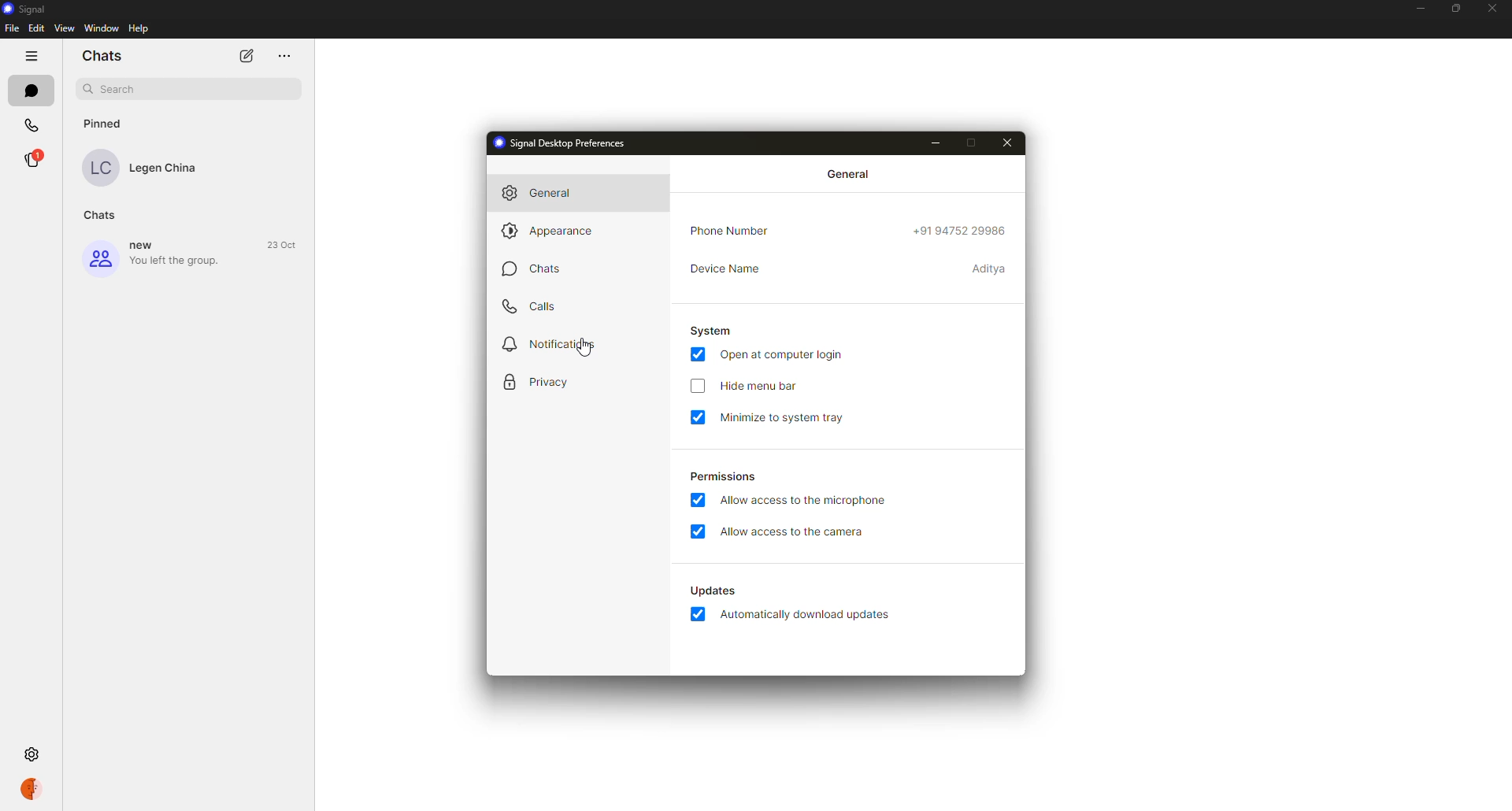 Image resolution: width=1512 pixels, height=811 pixels. What do you see at coordinates (698, 500) in the screenshot?
I see `selected` at bounding box center [698, 500].